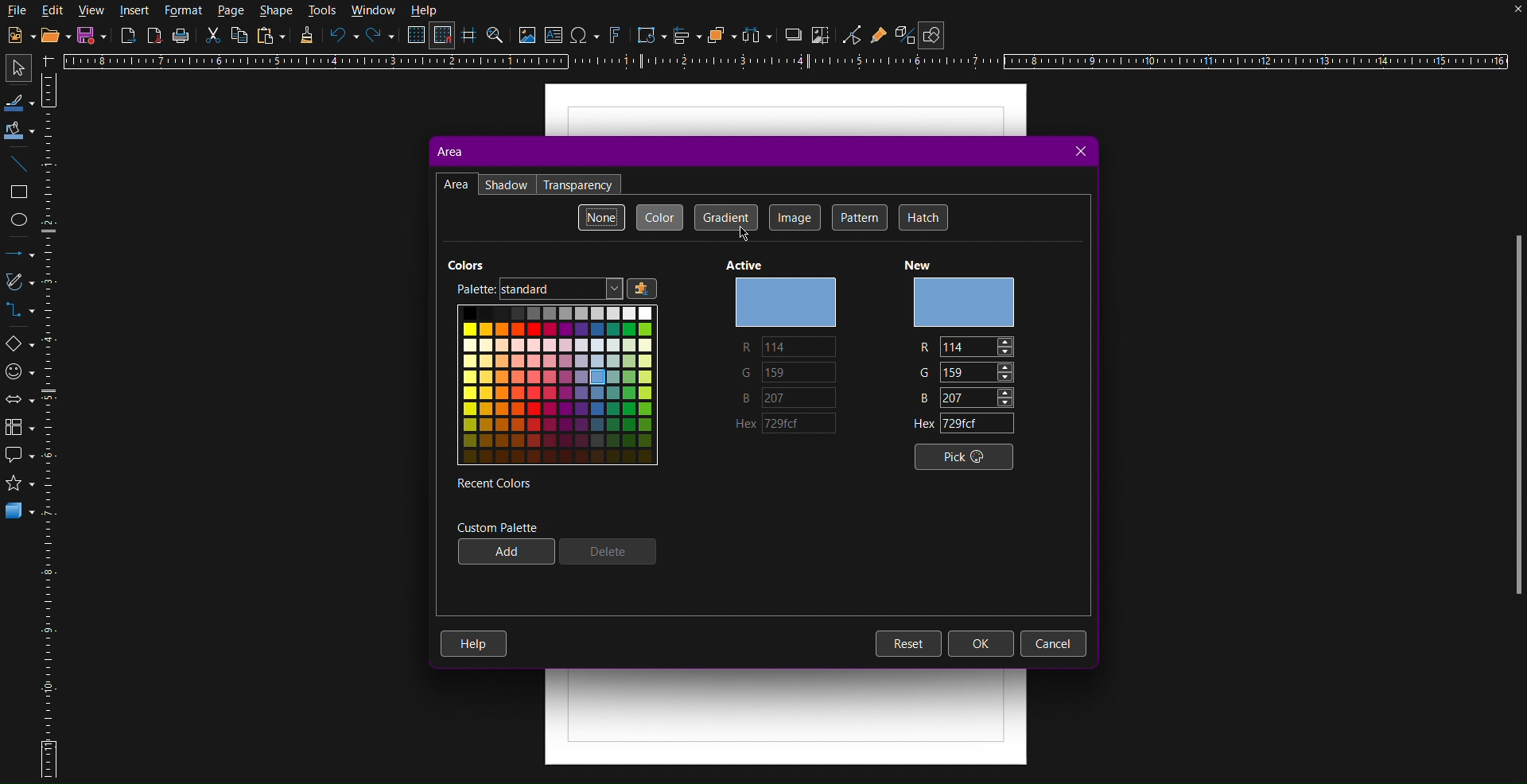 Image resolution: width=1527 pixels, height=784 pixels. I want to click on Horizontal Ruler, so click(793, 63).